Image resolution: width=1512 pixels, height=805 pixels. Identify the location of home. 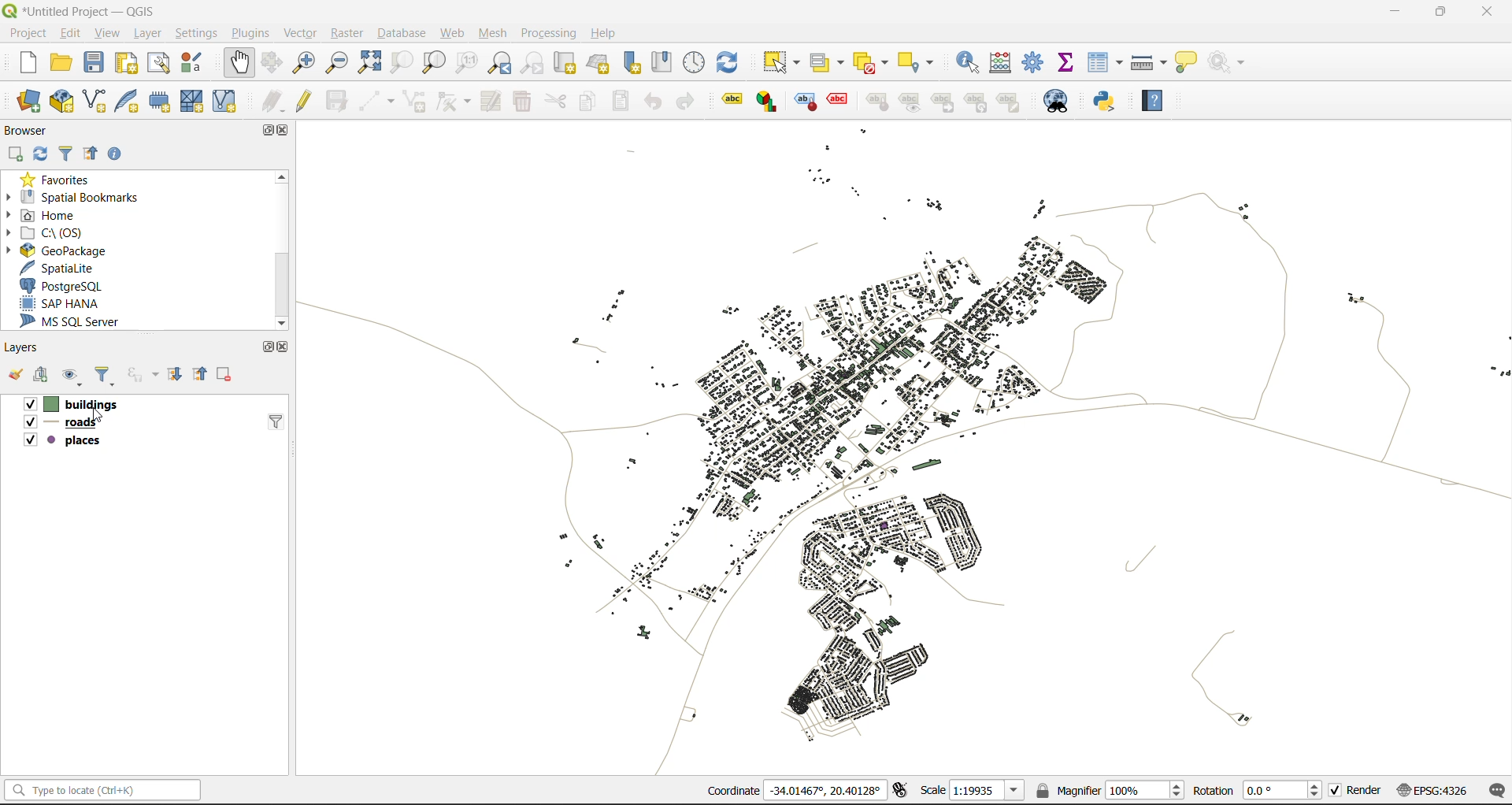
(46, 216).